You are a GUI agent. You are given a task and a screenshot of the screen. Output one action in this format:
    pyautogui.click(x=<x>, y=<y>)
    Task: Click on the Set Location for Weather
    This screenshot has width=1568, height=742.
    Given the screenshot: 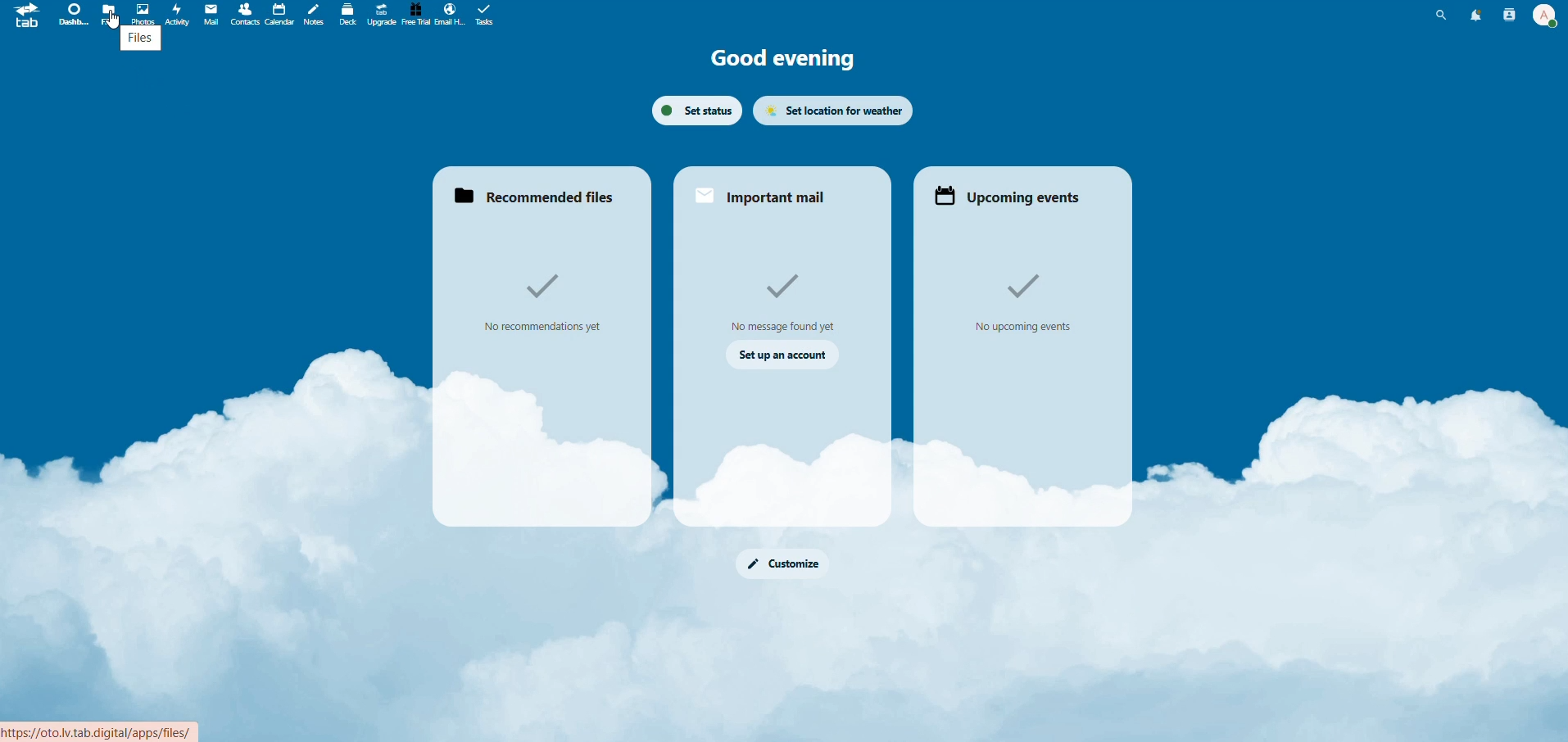 What is the action you would take?
    pyautogui.click(x=836, y=109)
    